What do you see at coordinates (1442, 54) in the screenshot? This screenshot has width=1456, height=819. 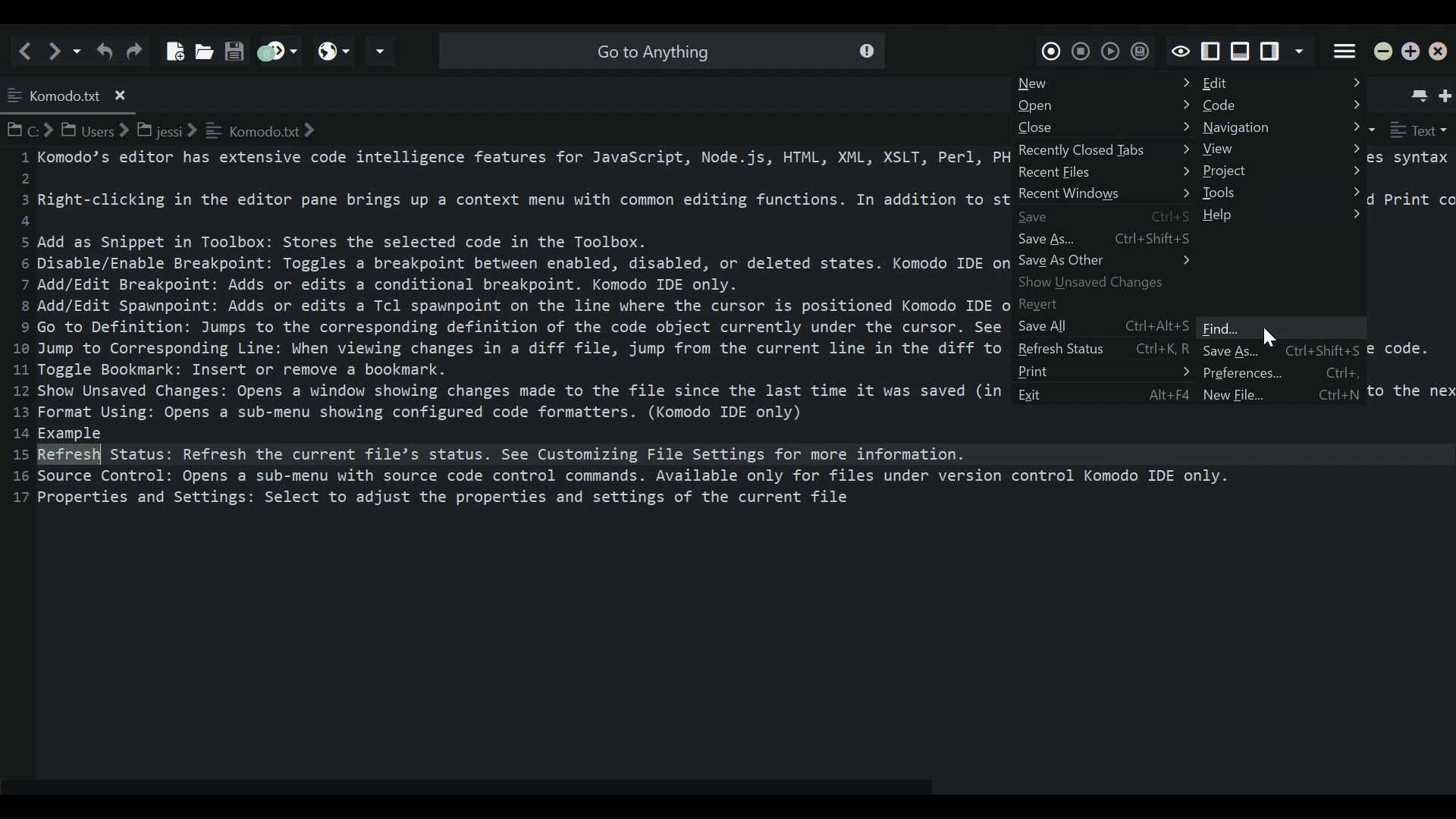 I see `Close` at bounding box center [1442, 54].